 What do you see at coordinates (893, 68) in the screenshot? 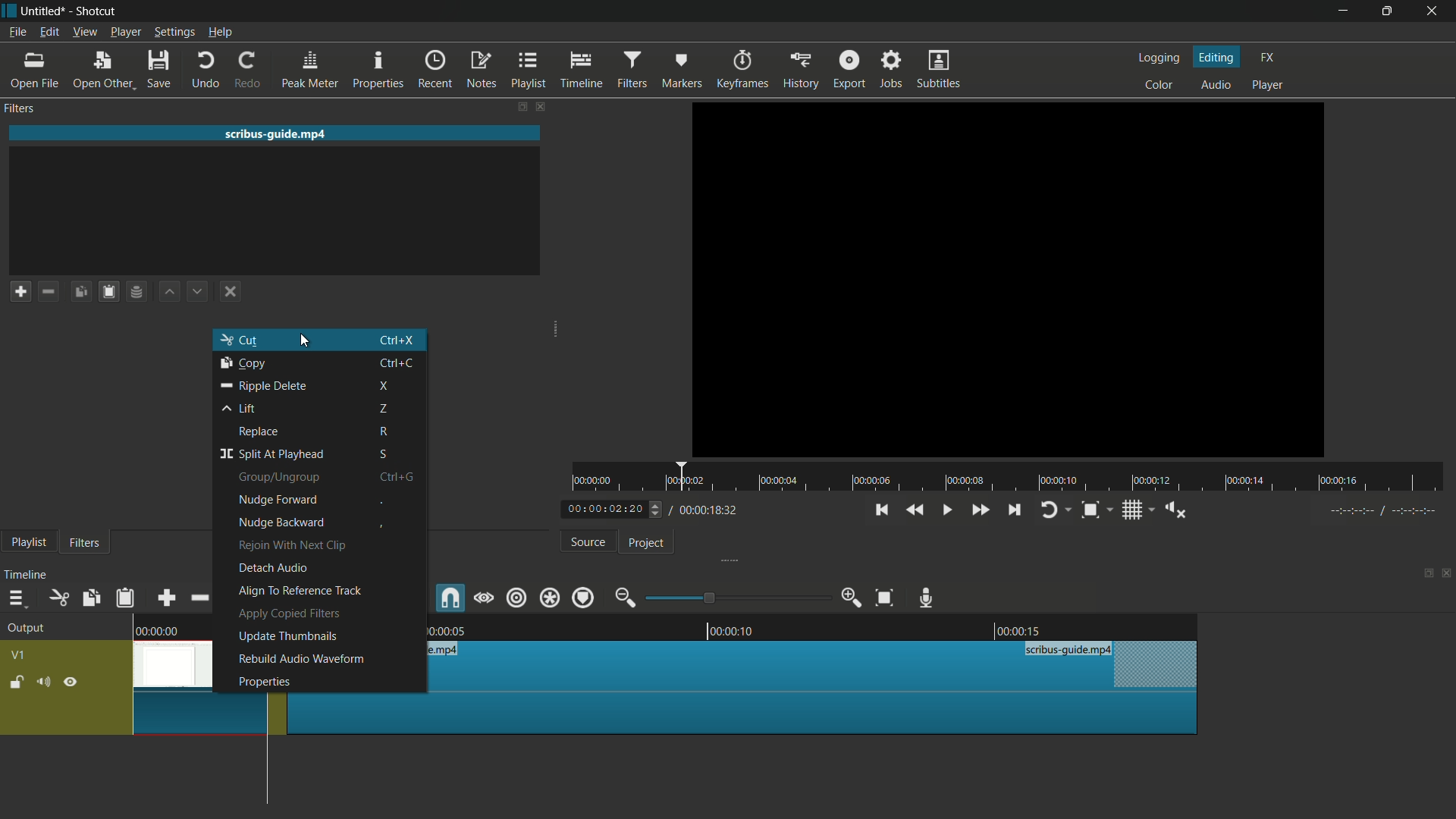
I see `jobs` at bounding box center [893, 68].